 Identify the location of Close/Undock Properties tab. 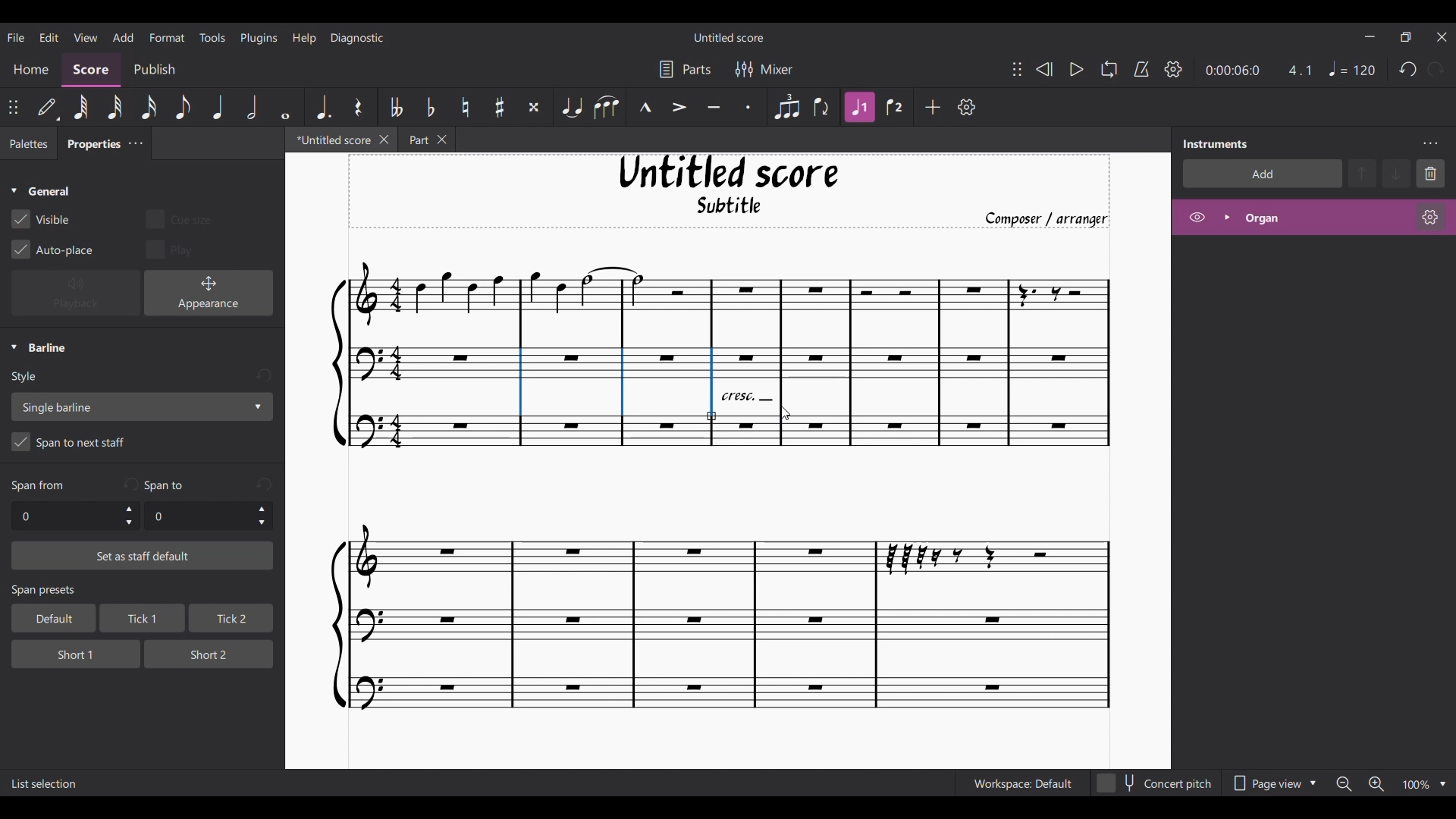
(135, 143).